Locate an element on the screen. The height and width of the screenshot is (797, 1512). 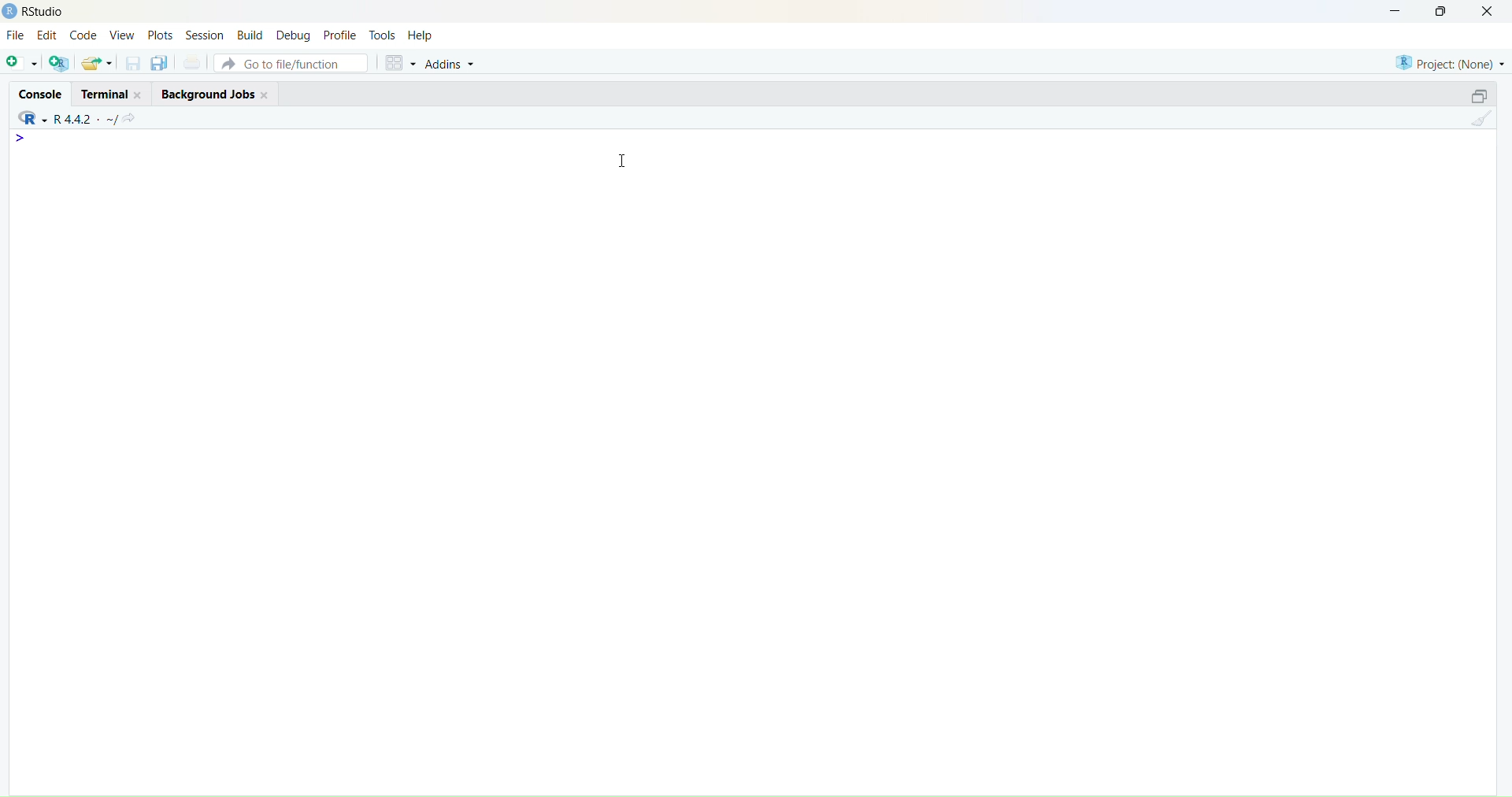
Workspace panes is located at coordinates (398, 61).